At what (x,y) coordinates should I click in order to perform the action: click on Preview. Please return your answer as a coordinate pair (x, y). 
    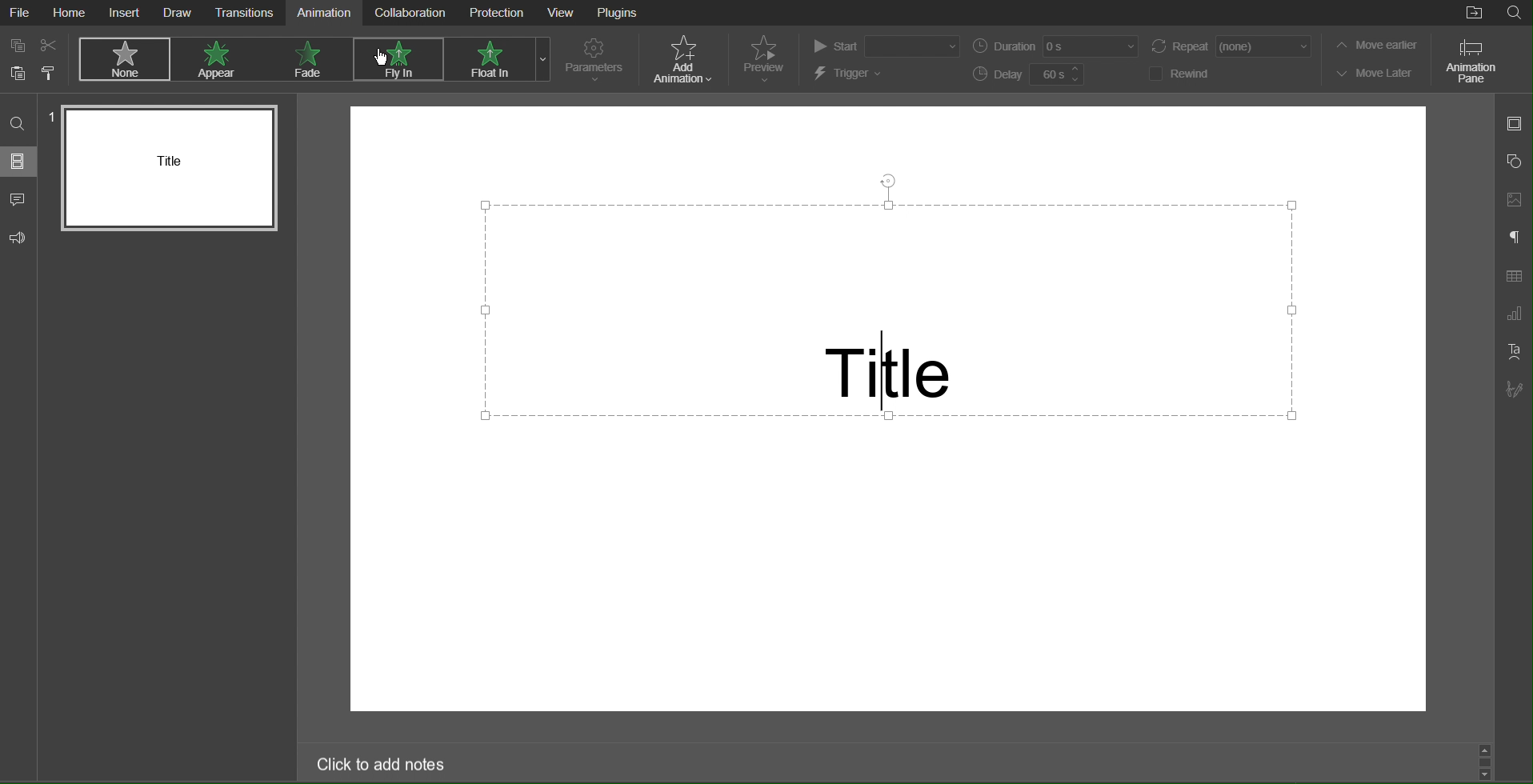
    Looking at the image, I should click on (764, 58).